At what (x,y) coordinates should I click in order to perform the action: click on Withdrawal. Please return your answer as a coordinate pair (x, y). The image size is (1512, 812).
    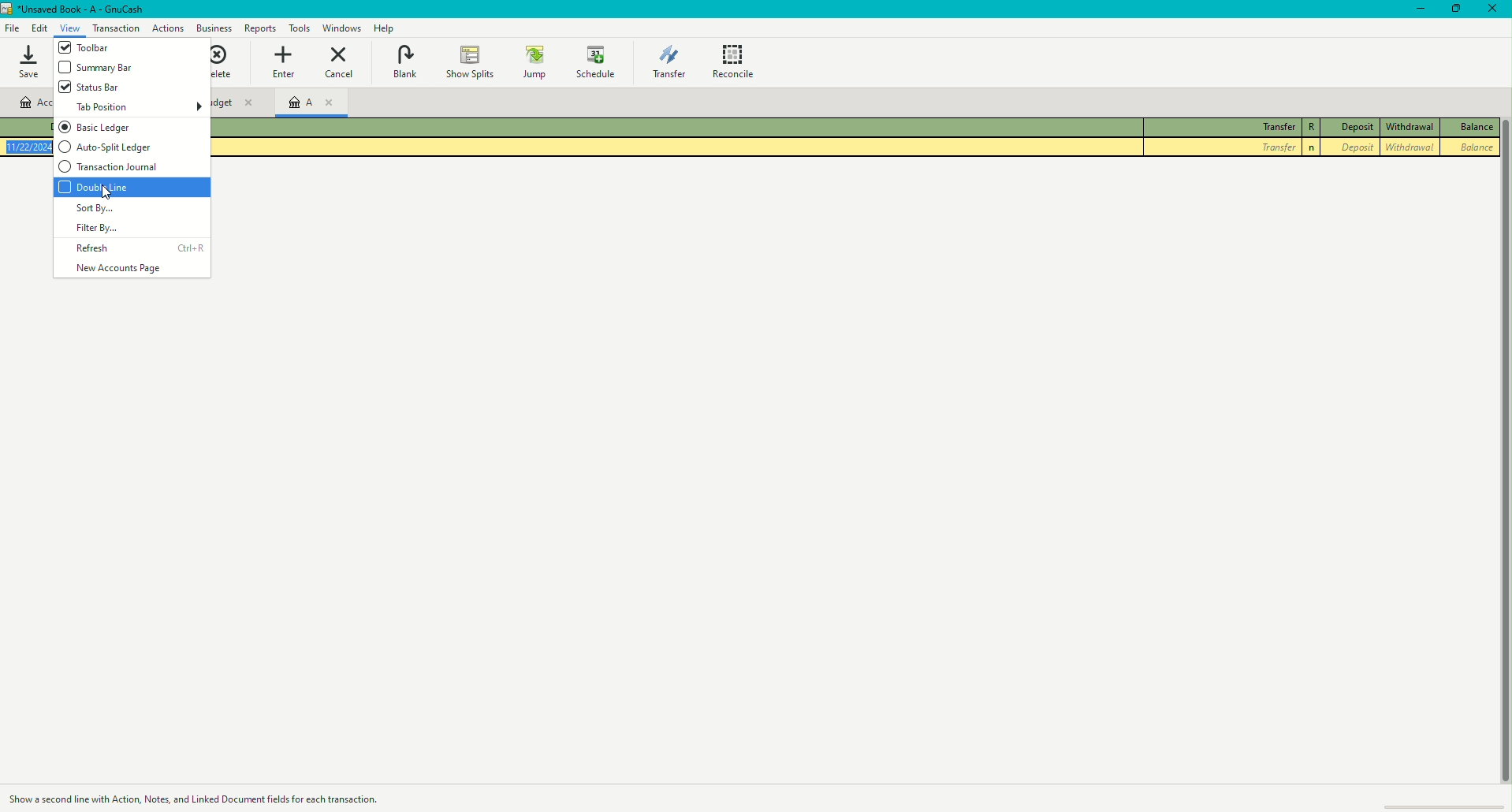
    Looking at the image, I should click on (1412, 126).